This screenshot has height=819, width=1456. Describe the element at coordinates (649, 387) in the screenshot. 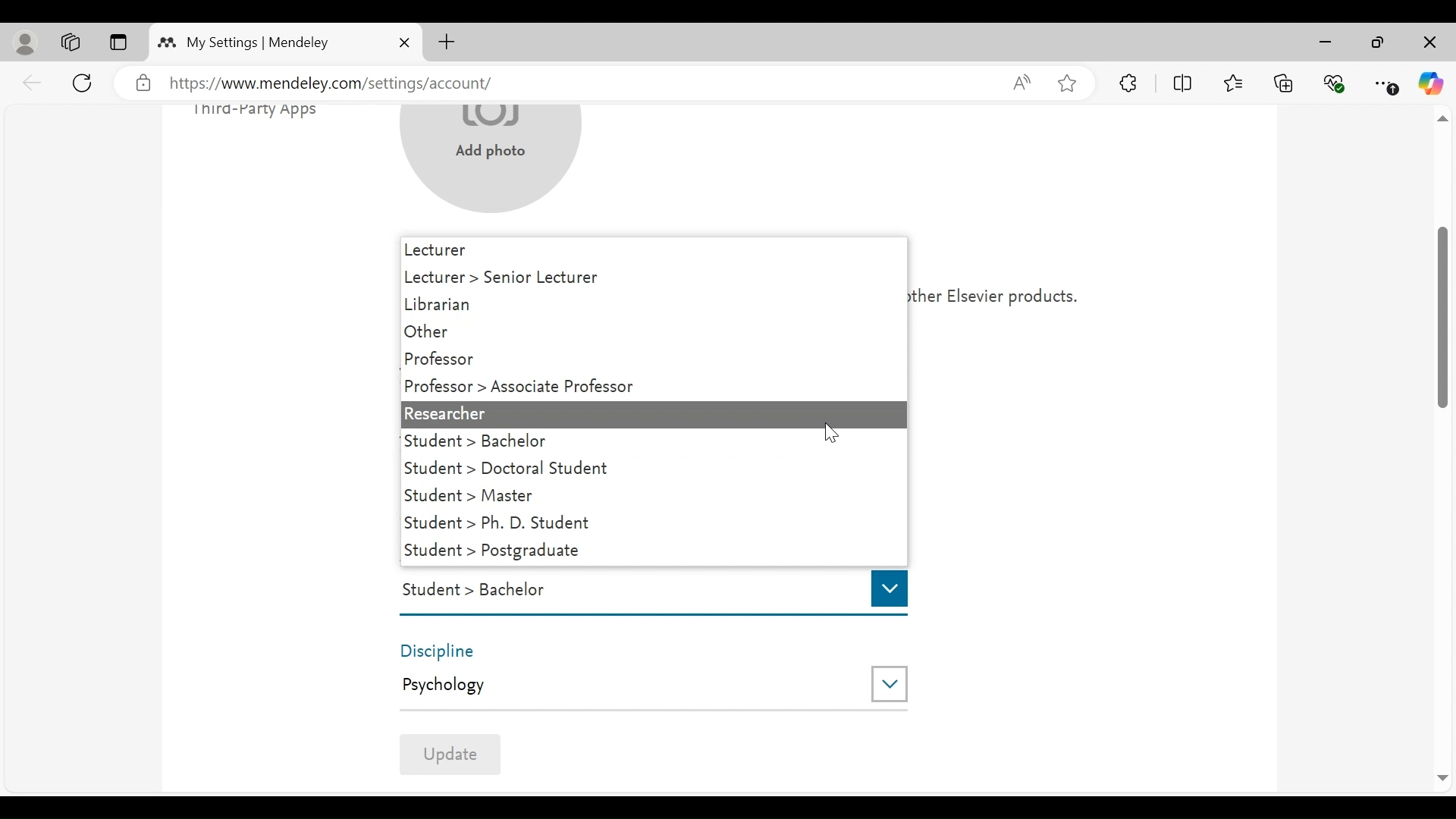

I see `Professor >Associate` at that location.